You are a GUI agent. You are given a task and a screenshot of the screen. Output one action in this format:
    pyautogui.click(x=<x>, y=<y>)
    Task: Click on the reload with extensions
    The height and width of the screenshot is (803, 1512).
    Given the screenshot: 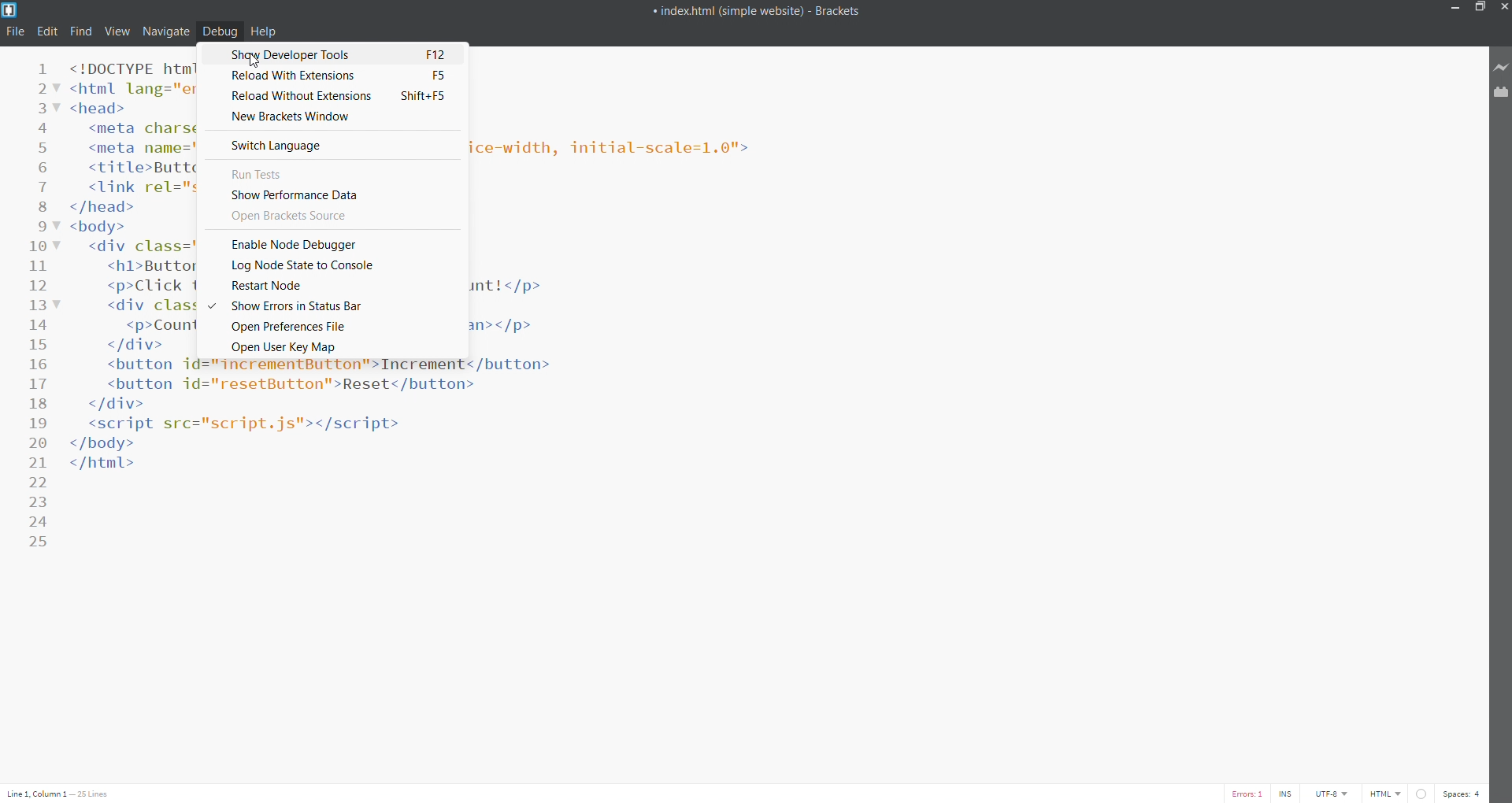 What is the action you would take?
    pyautogui.click(x=330, y=75)
    